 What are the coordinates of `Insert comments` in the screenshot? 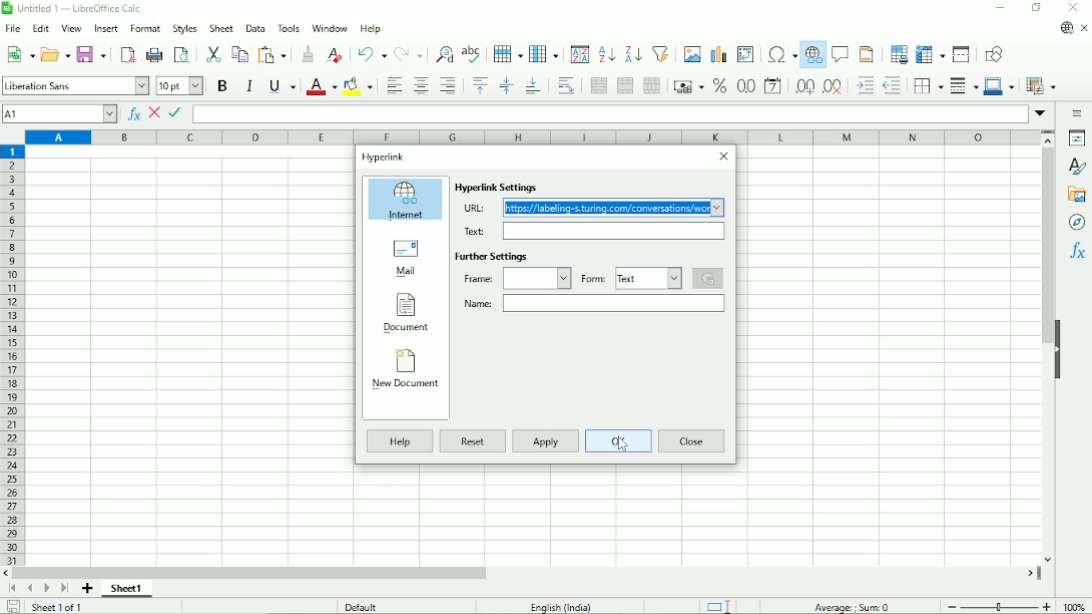 It's located at (840, 53).